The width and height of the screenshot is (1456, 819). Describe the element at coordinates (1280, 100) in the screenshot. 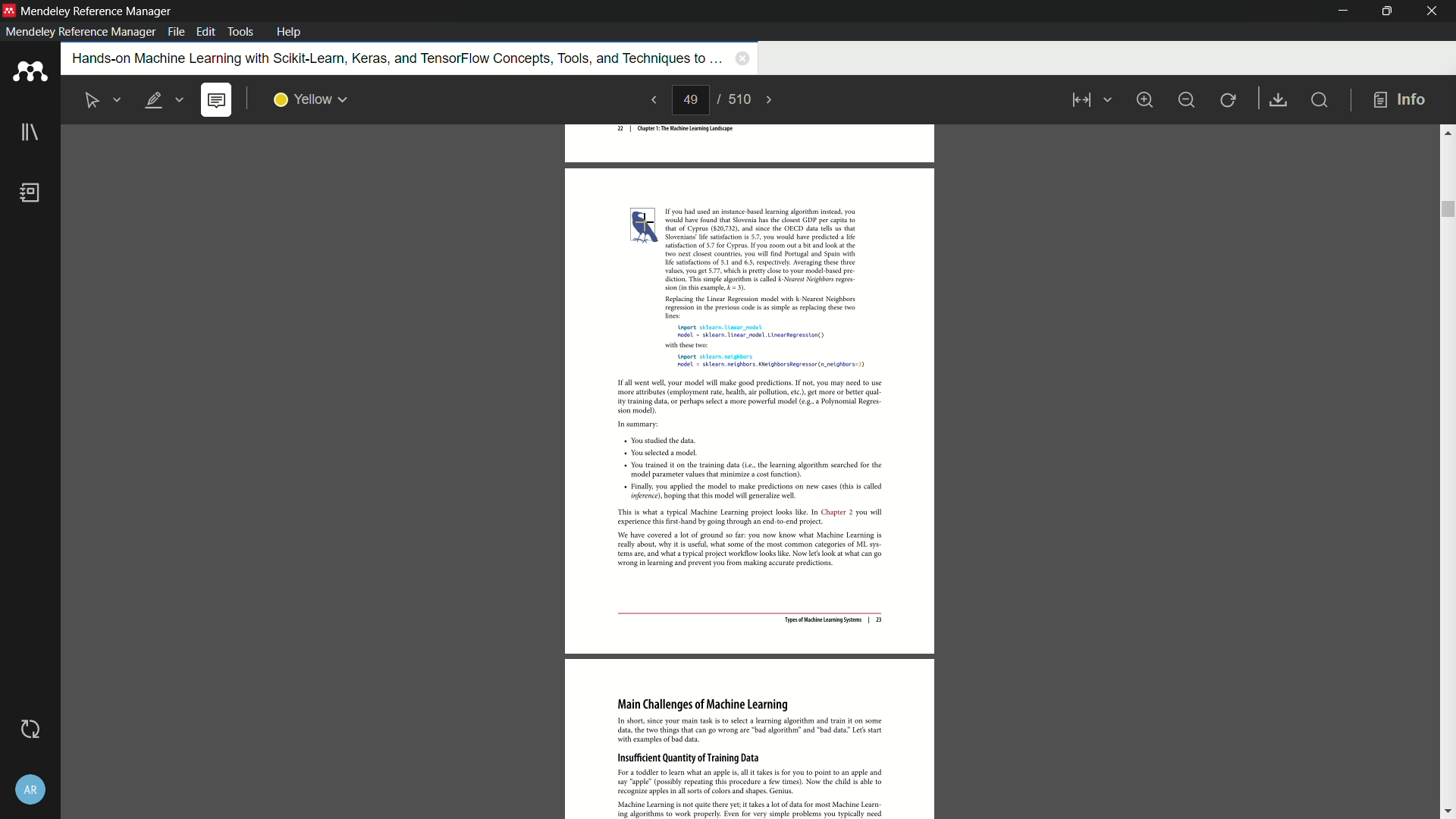

I see `save` at that location.